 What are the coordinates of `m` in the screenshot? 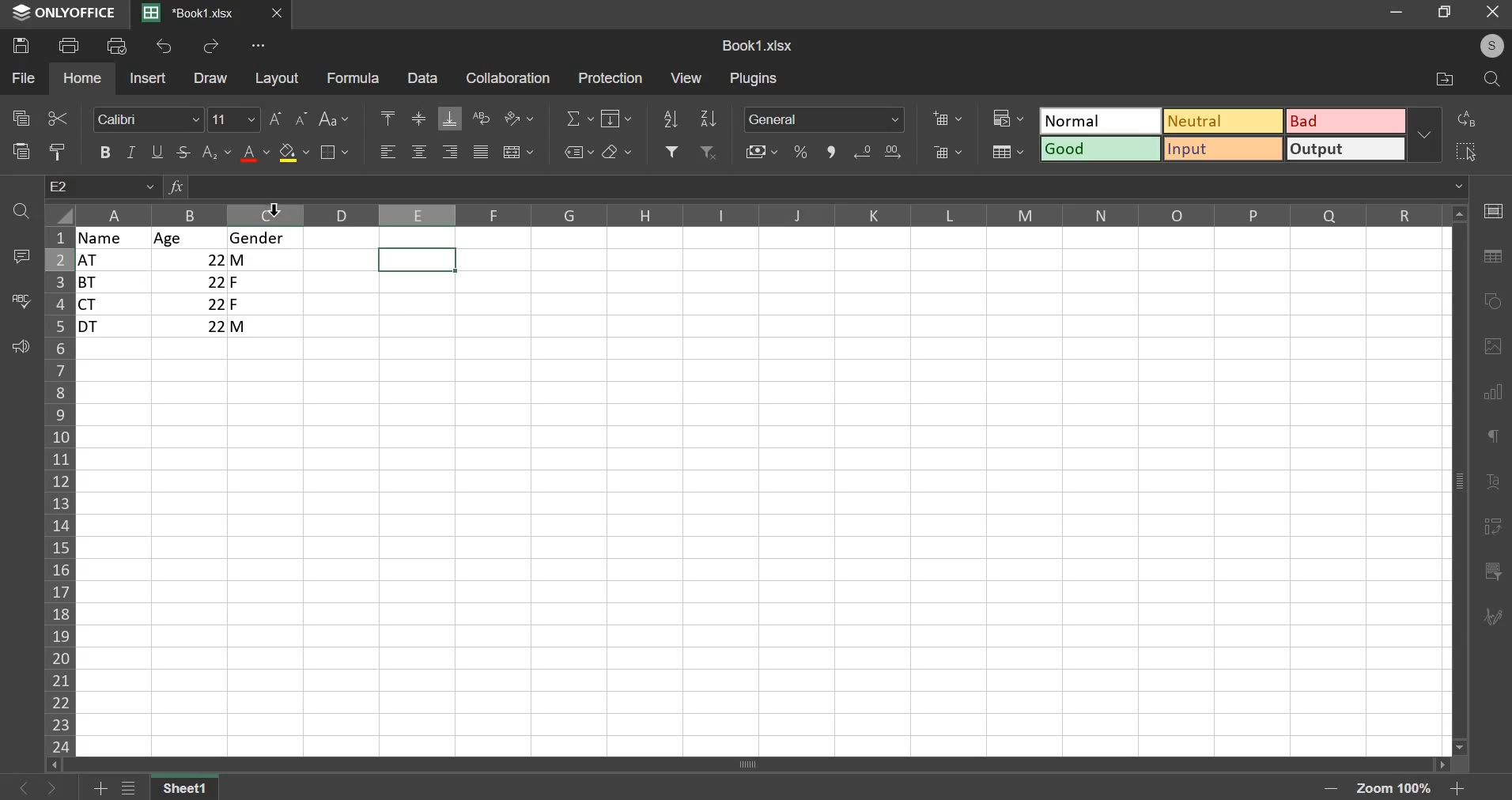 It's located at (266, 329).